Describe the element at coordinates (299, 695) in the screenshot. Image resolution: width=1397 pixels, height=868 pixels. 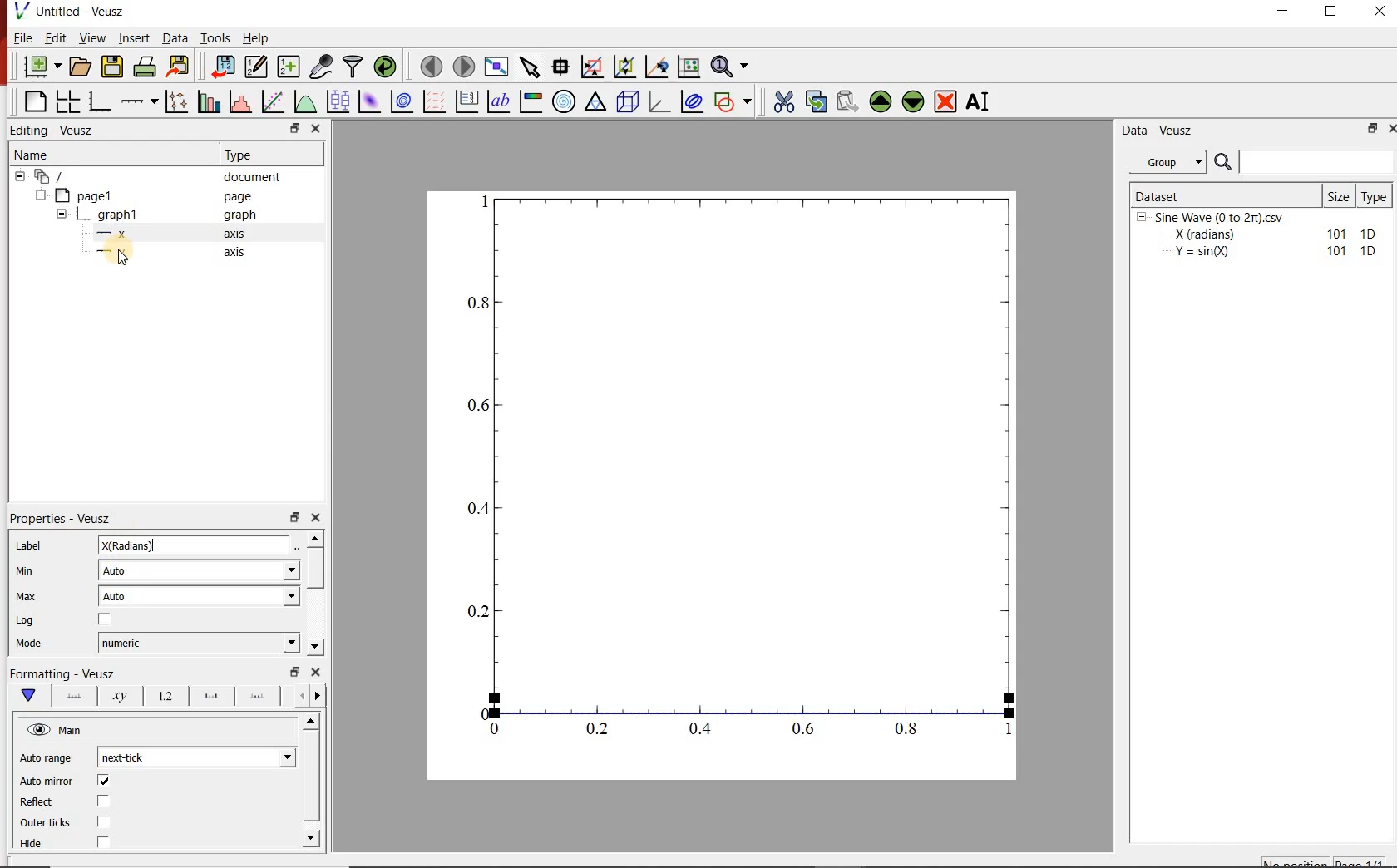
I see `Move left` at that location.